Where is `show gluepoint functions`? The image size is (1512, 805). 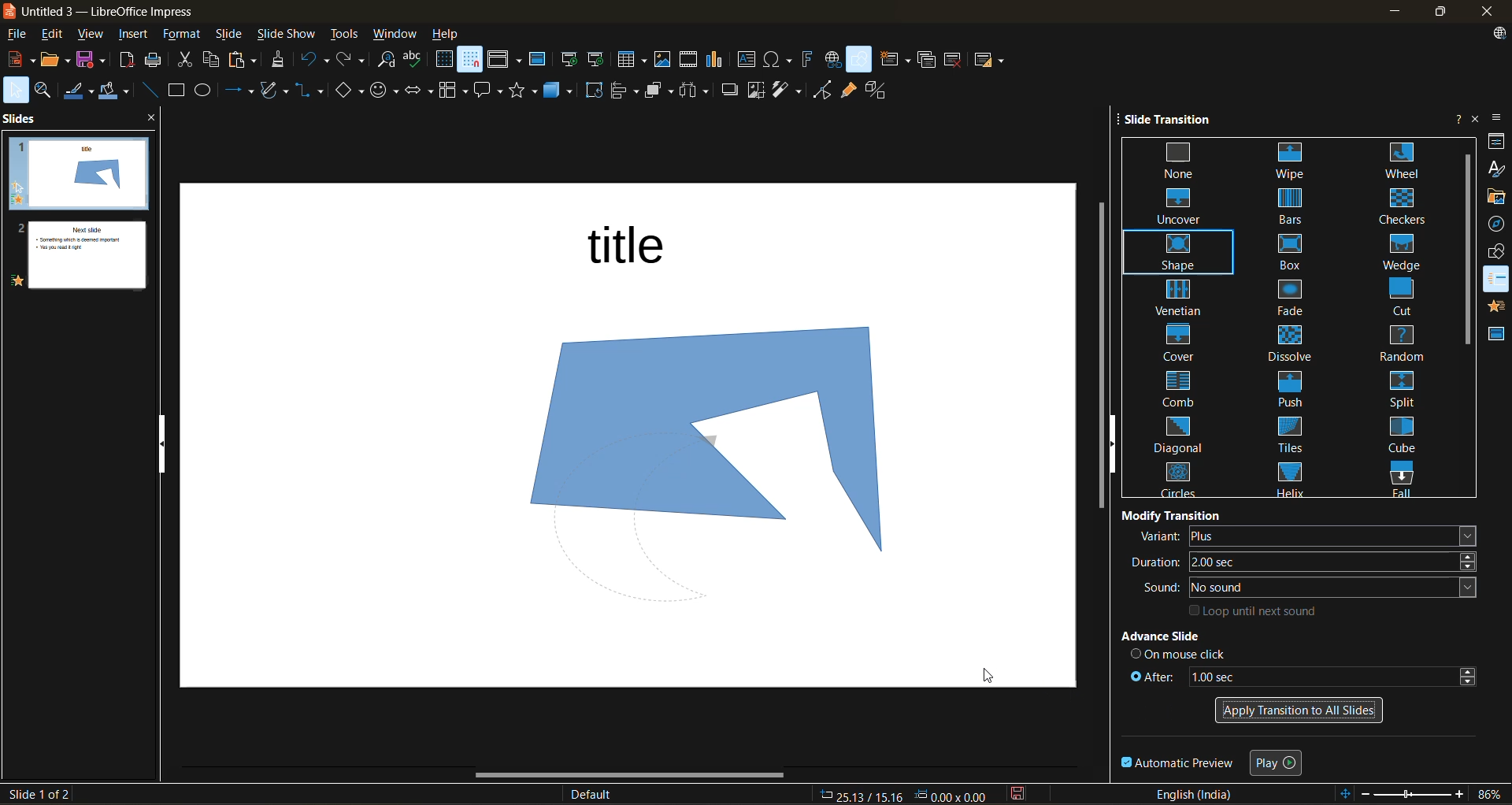
show gluepoint functions is located at coordinates (850, 91).